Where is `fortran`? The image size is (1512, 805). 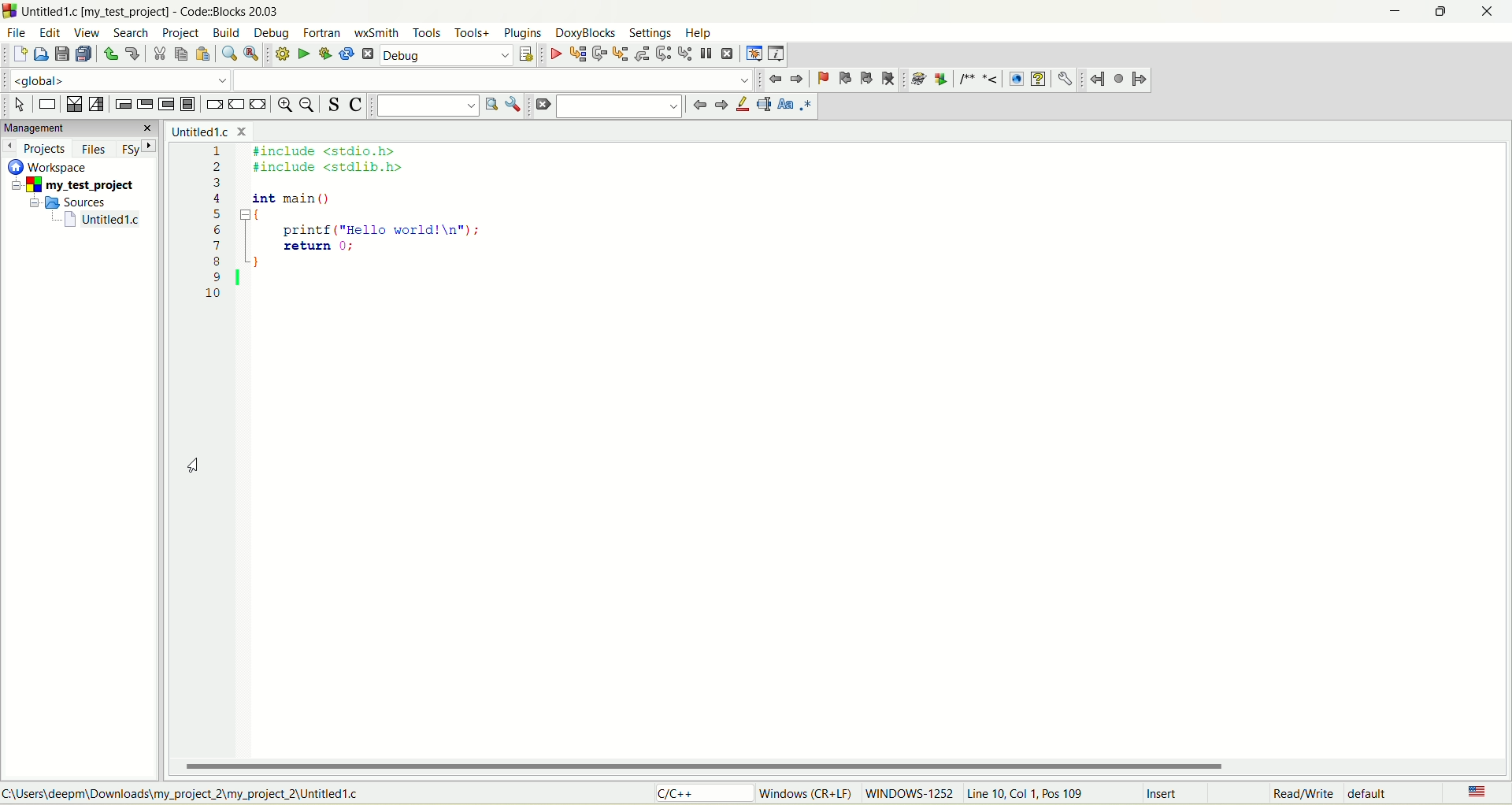 fortran is located at coordinates (323, 33).